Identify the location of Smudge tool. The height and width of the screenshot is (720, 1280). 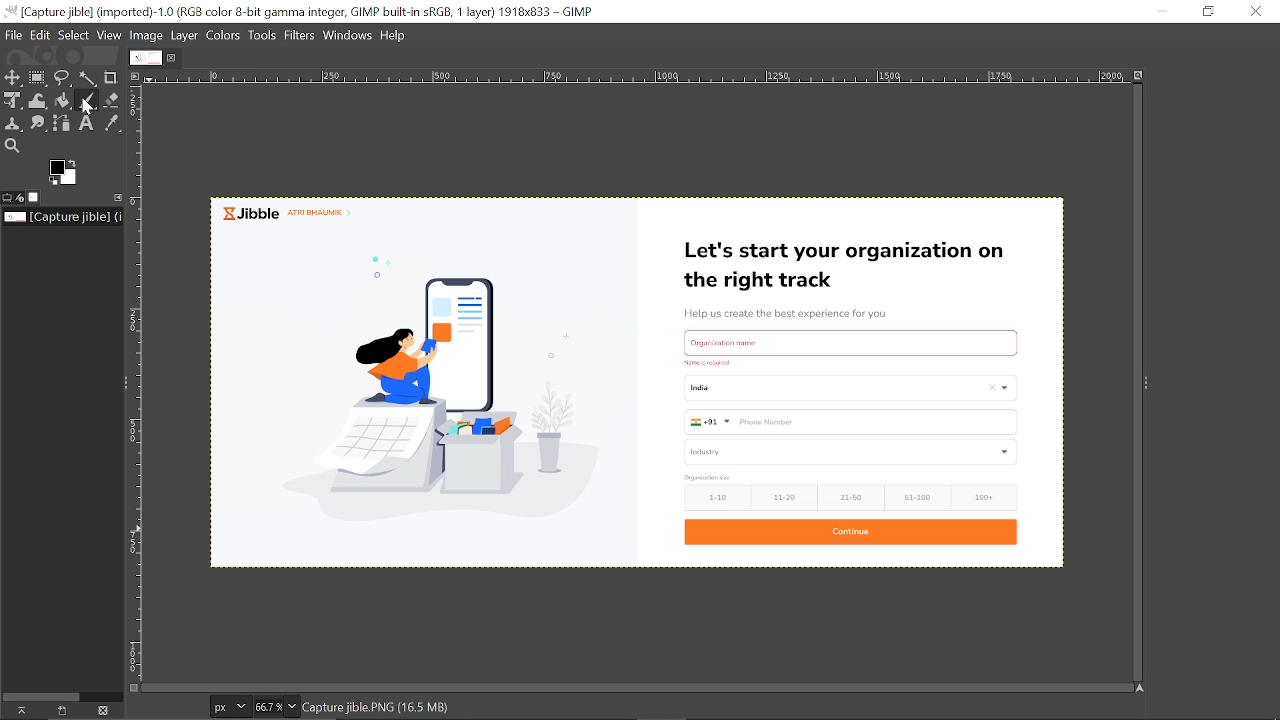
(40, 122).